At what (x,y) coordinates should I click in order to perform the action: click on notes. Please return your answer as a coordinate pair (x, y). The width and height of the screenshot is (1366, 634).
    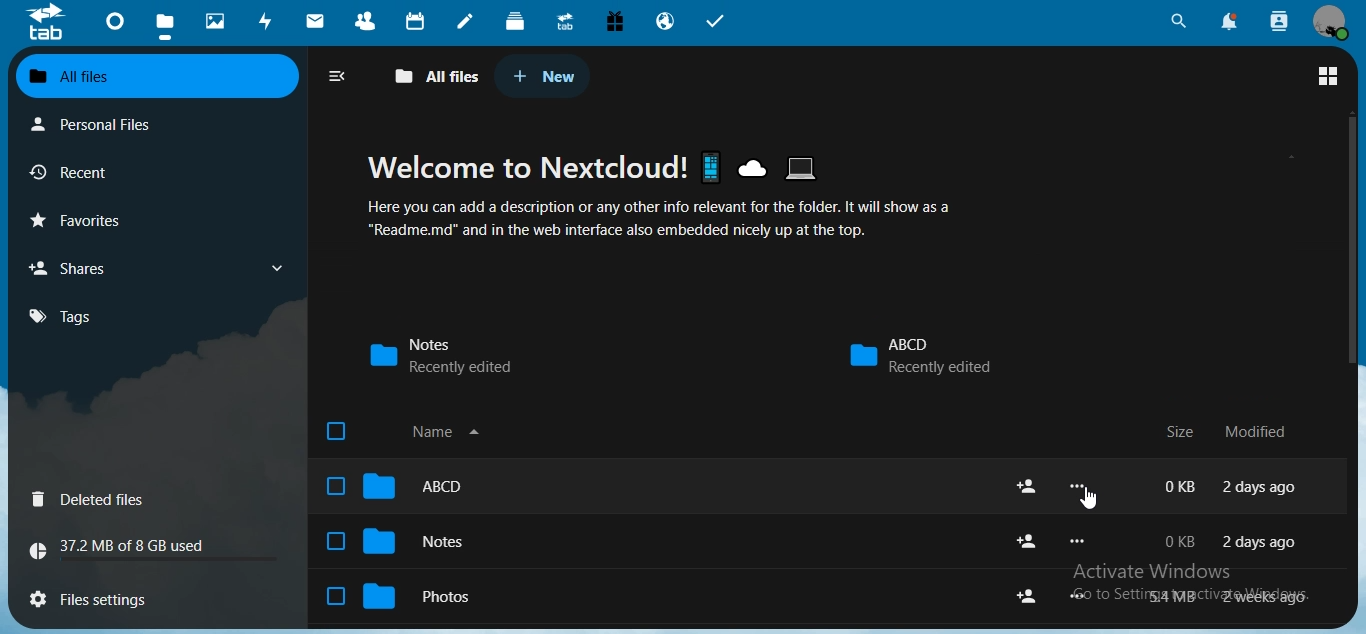
    Looking at the image, I should click on (400, 541).